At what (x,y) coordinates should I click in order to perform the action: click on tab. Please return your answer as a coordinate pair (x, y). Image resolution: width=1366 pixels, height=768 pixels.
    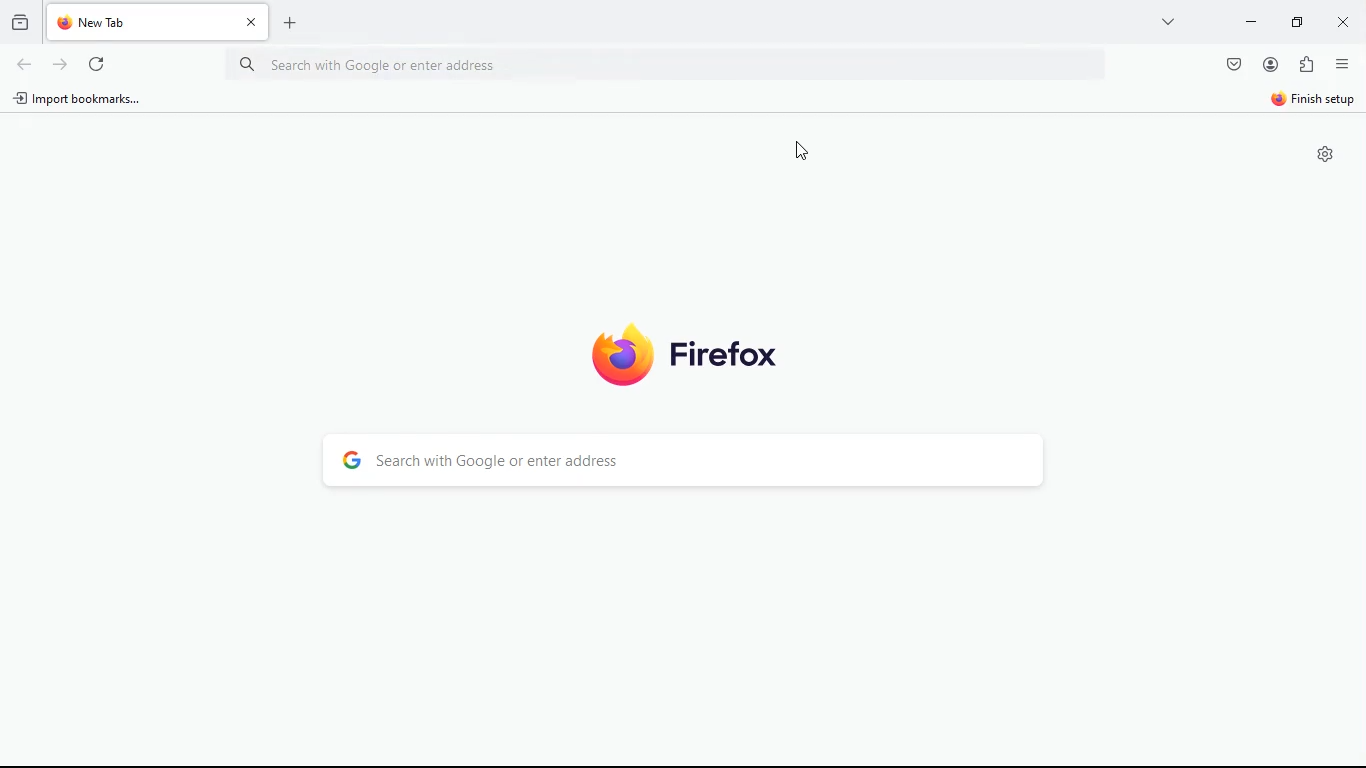
    Looking at the image, I should click on (161, 22).